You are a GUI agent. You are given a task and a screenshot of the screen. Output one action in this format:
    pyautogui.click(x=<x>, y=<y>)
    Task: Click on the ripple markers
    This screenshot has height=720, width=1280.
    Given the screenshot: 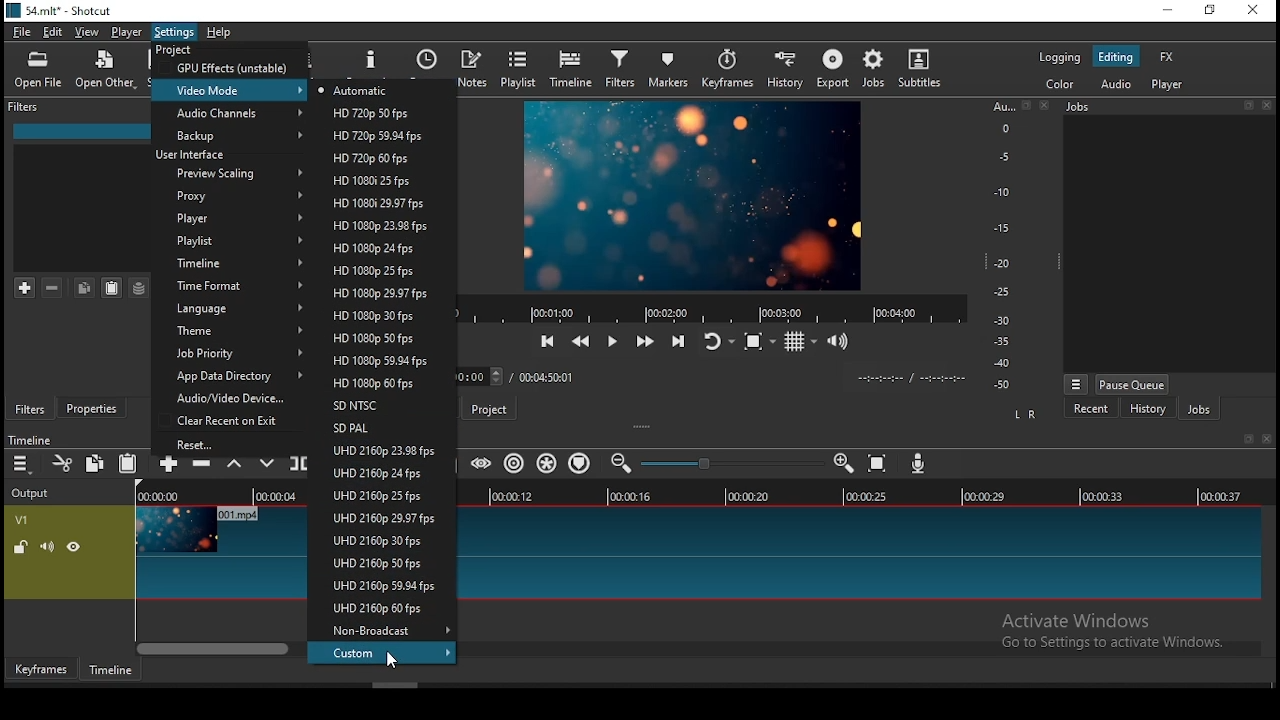 What is the action you would take?
    pyautogui.click(x=578, y=461)
    